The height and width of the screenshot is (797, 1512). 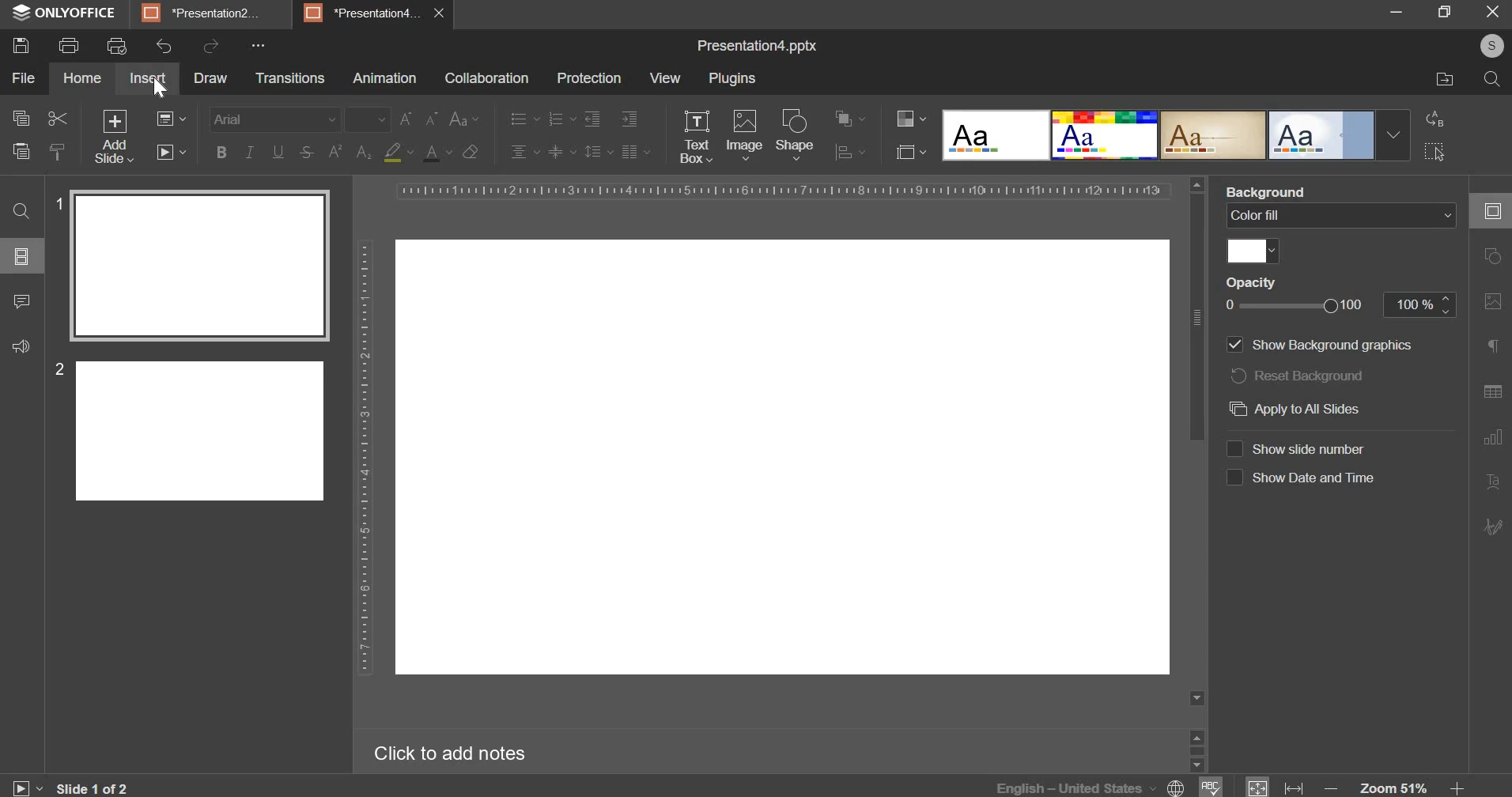 What do you see at coordinates (470, 152) in the screenshot?
I see `clear format` at bounding box center [470, 152].